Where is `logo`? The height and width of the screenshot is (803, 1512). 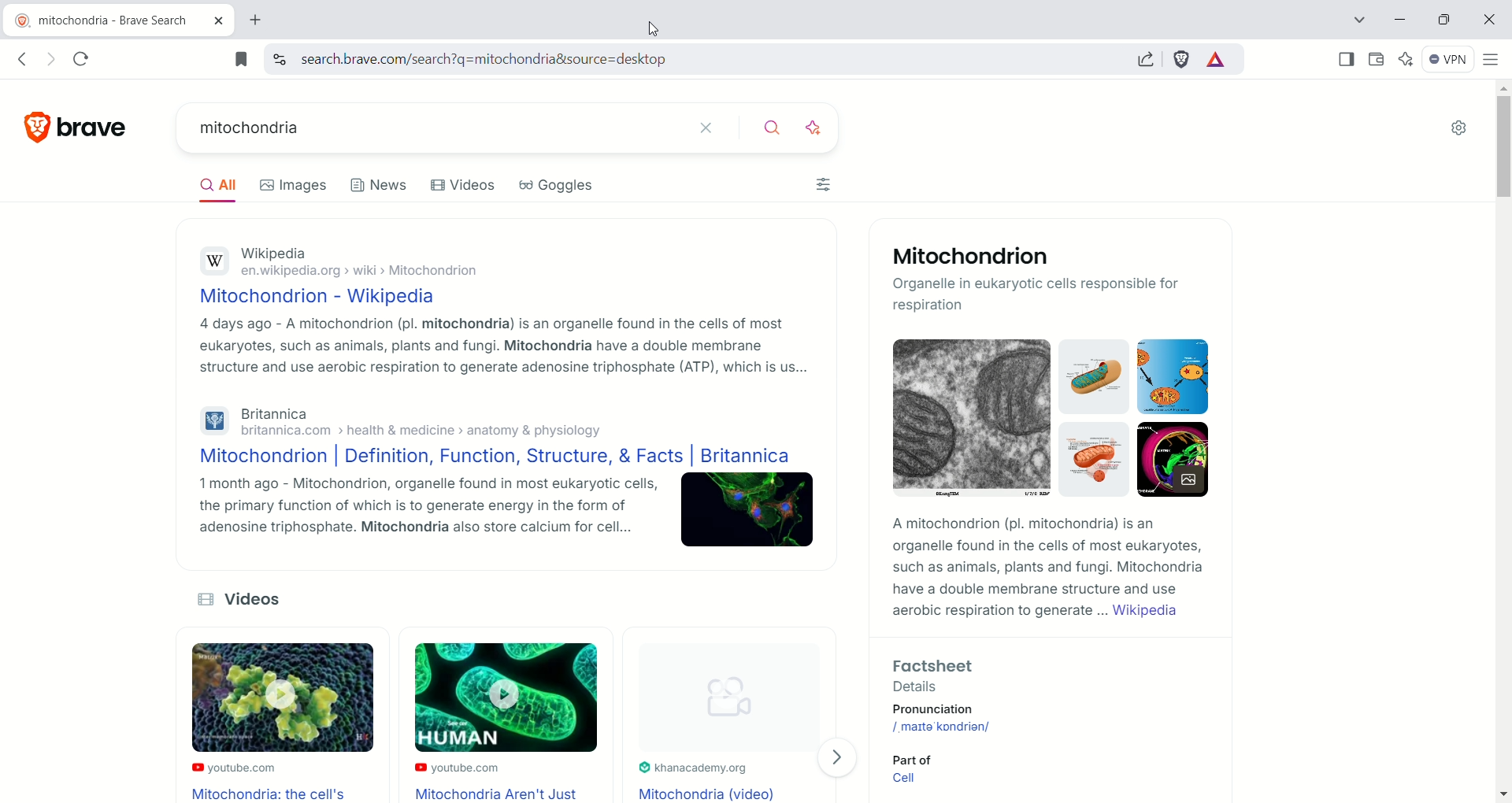
logo is located at coordinates (29, 128).